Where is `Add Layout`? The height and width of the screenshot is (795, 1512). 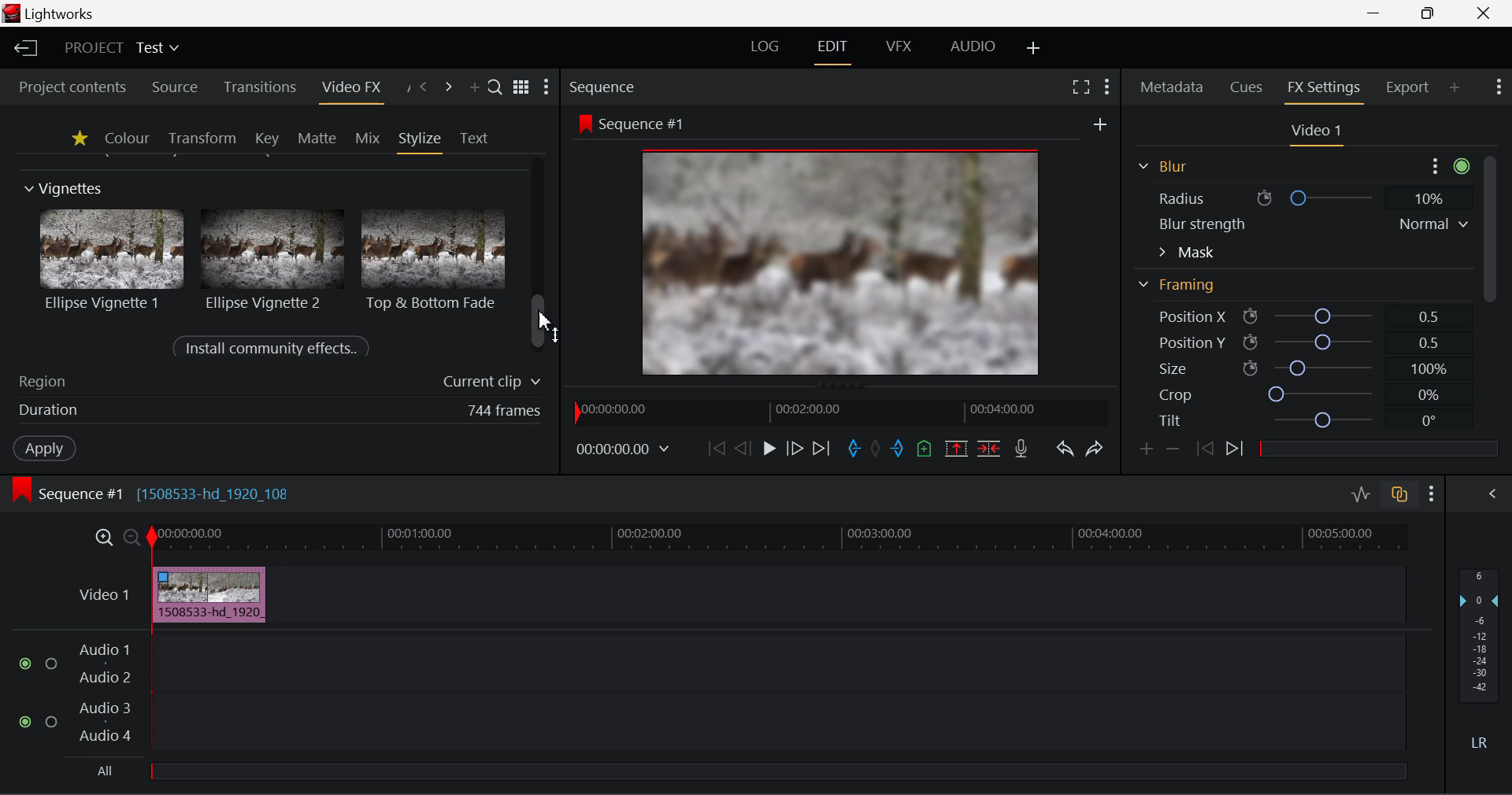 Add Layout is located at coordinates (1034, 48).